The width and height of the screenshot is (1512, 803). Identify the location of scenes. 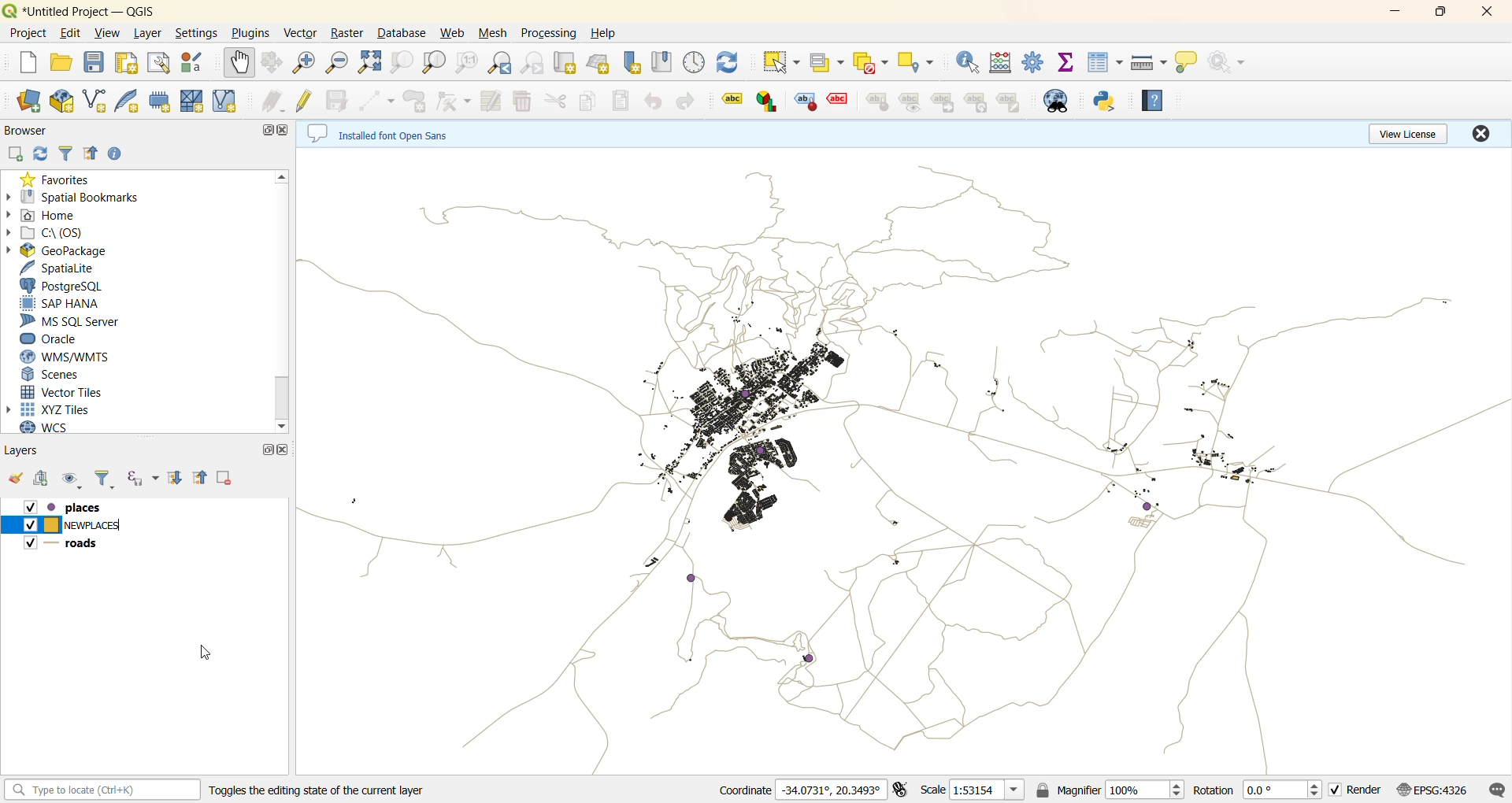
(54, 376).